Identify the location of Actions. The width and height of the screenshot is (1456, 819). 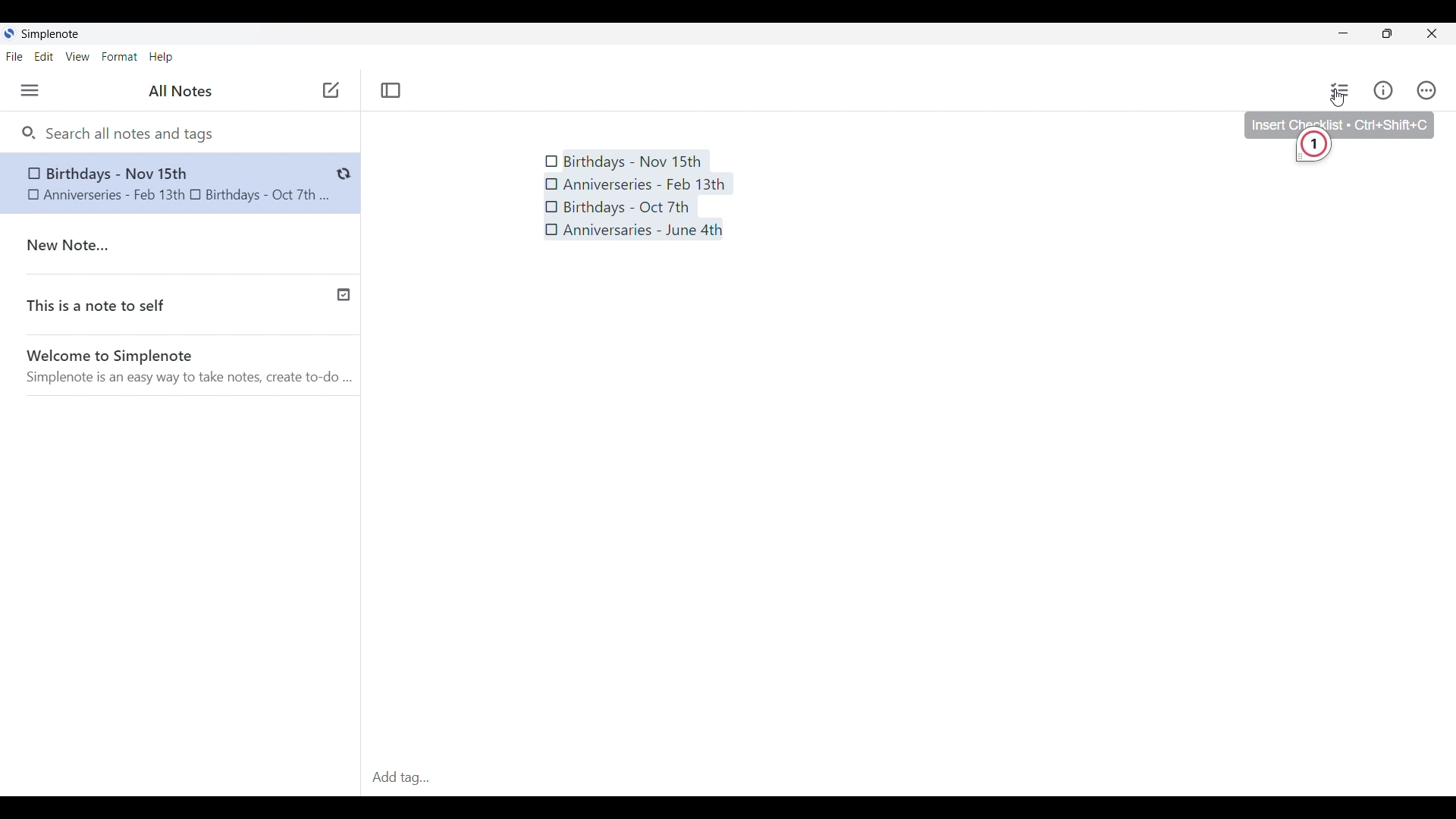
(1426, 90).